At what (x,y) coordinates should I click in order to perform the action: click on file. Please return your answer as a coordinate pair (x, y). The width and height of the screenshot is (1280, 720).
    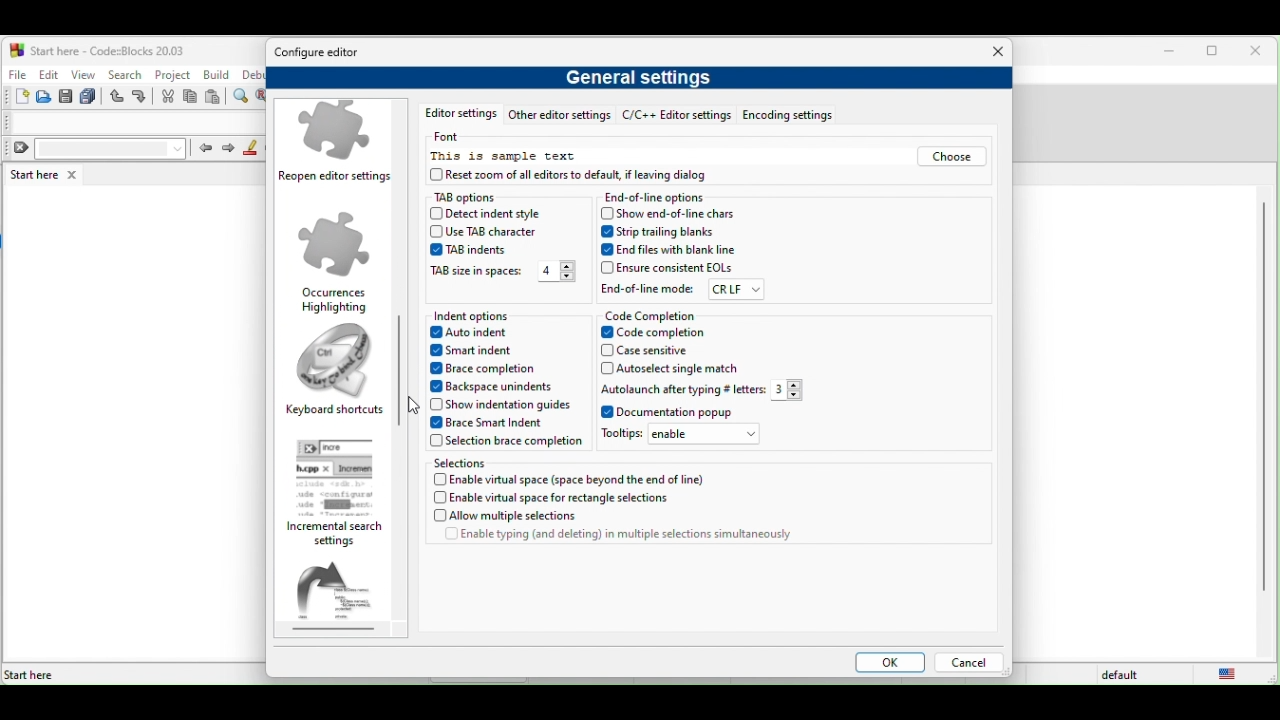
    Looking at the image, I should click on (16, 72).